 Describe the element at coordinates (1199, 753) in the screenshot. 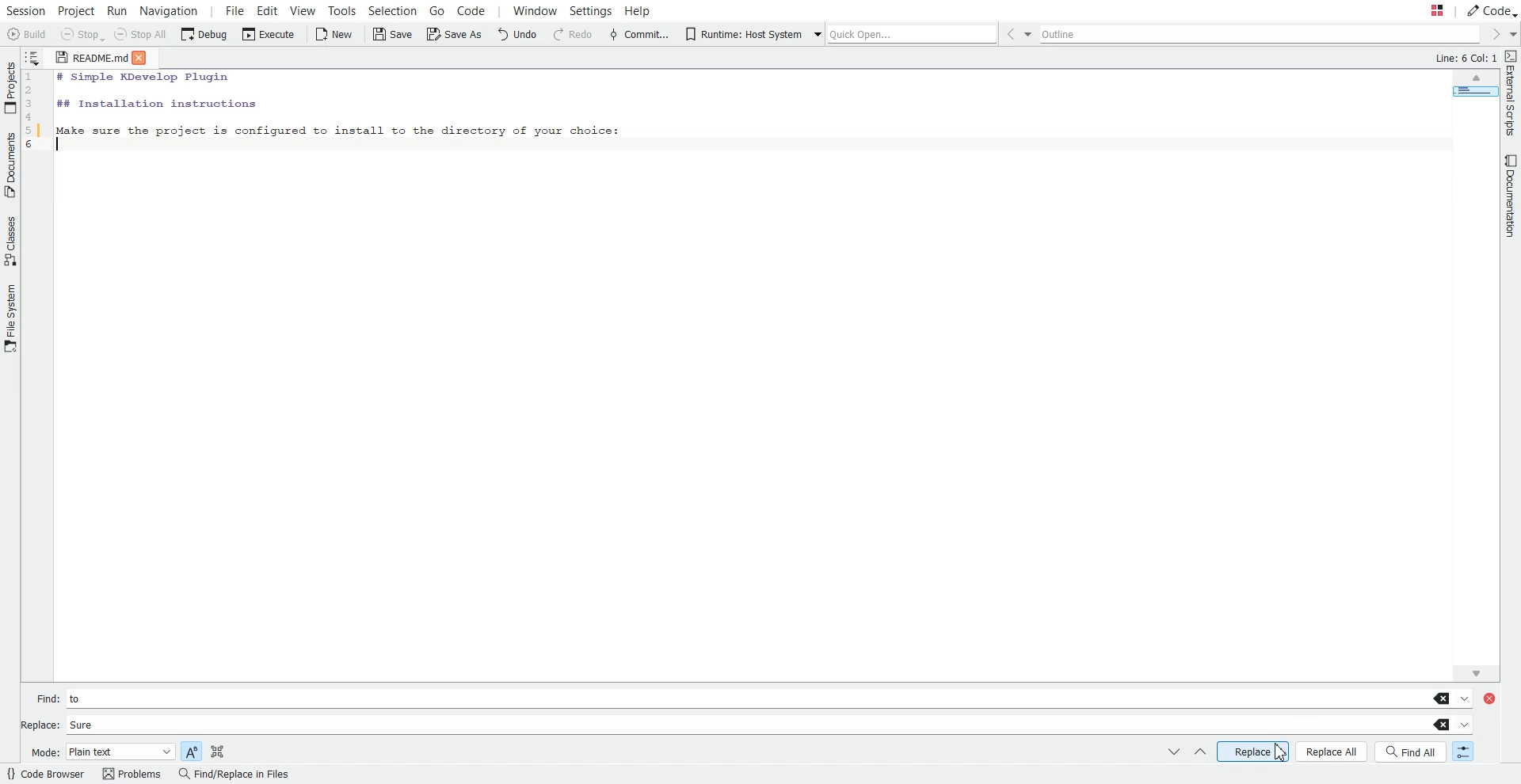

I see `Switch To Previous` at that location.